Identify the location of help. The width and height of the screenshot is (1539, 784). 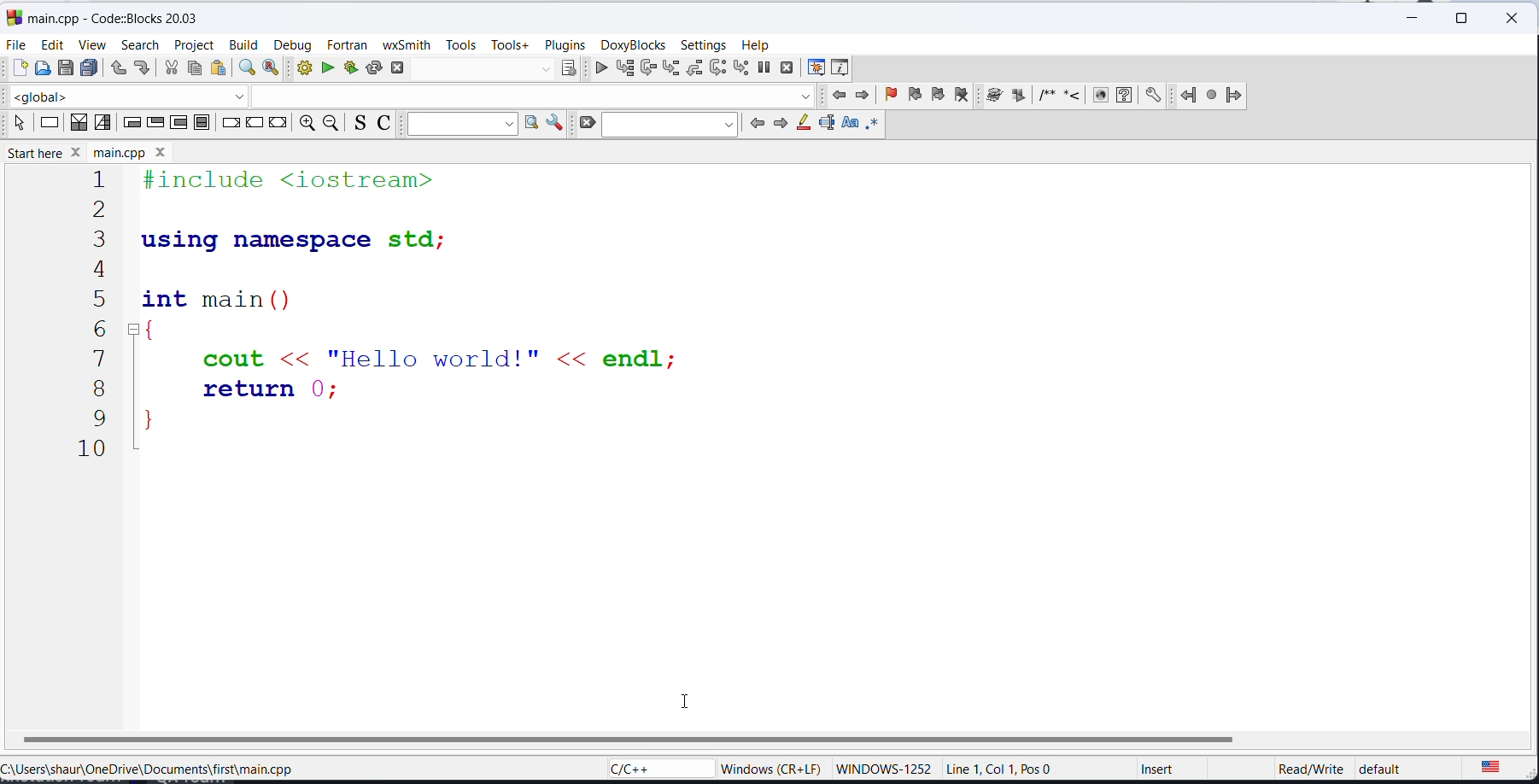
(758, 45).